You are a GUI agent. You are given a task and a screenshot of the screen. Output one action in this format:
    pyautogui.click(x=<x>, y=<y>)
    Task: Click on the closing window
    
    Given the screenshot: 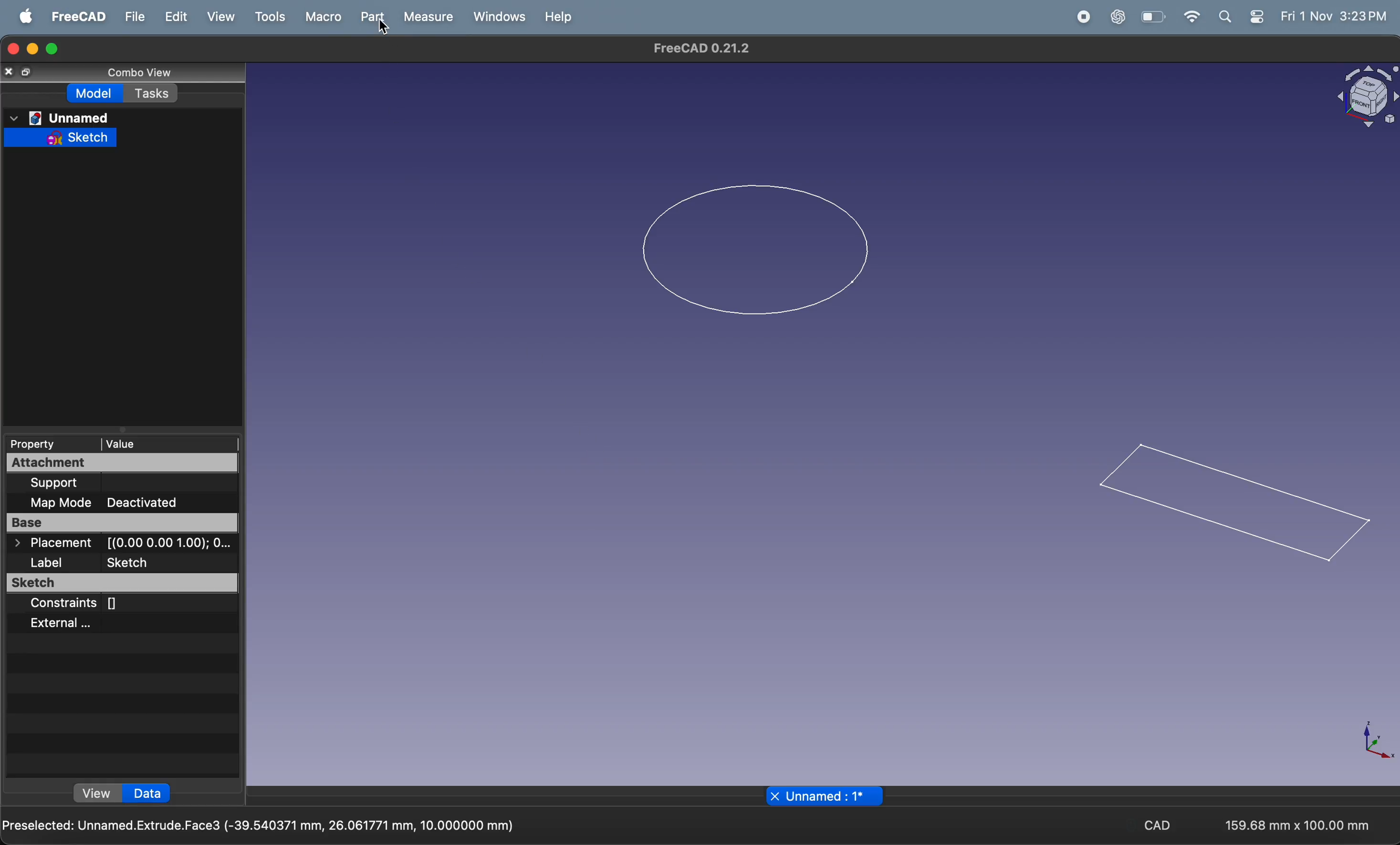 What is the action you would take?
    pyautogui.click(x=12, y=49)
    